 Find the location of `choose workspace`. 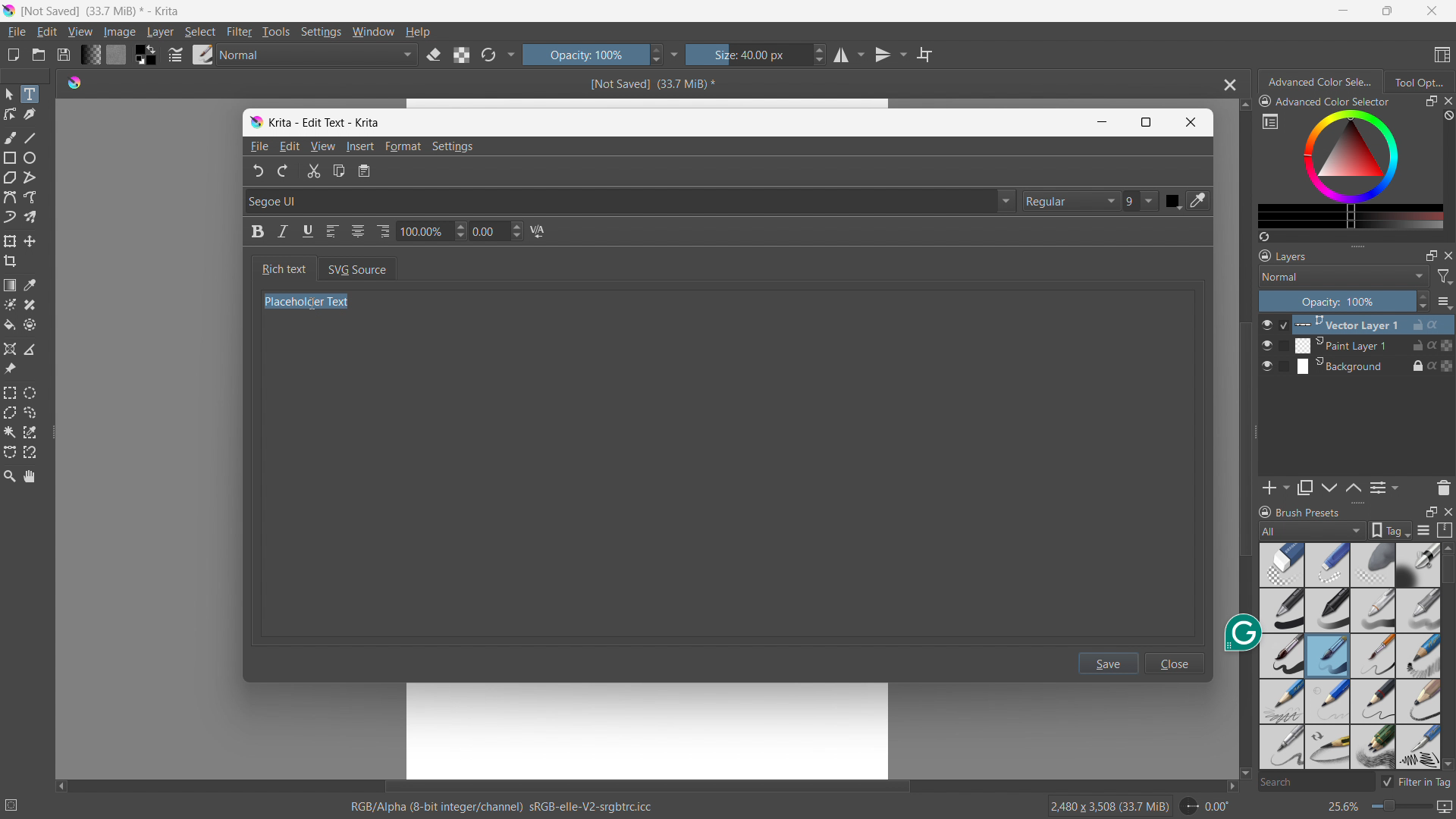

choose workspace is located at coordinates (1442, 55).